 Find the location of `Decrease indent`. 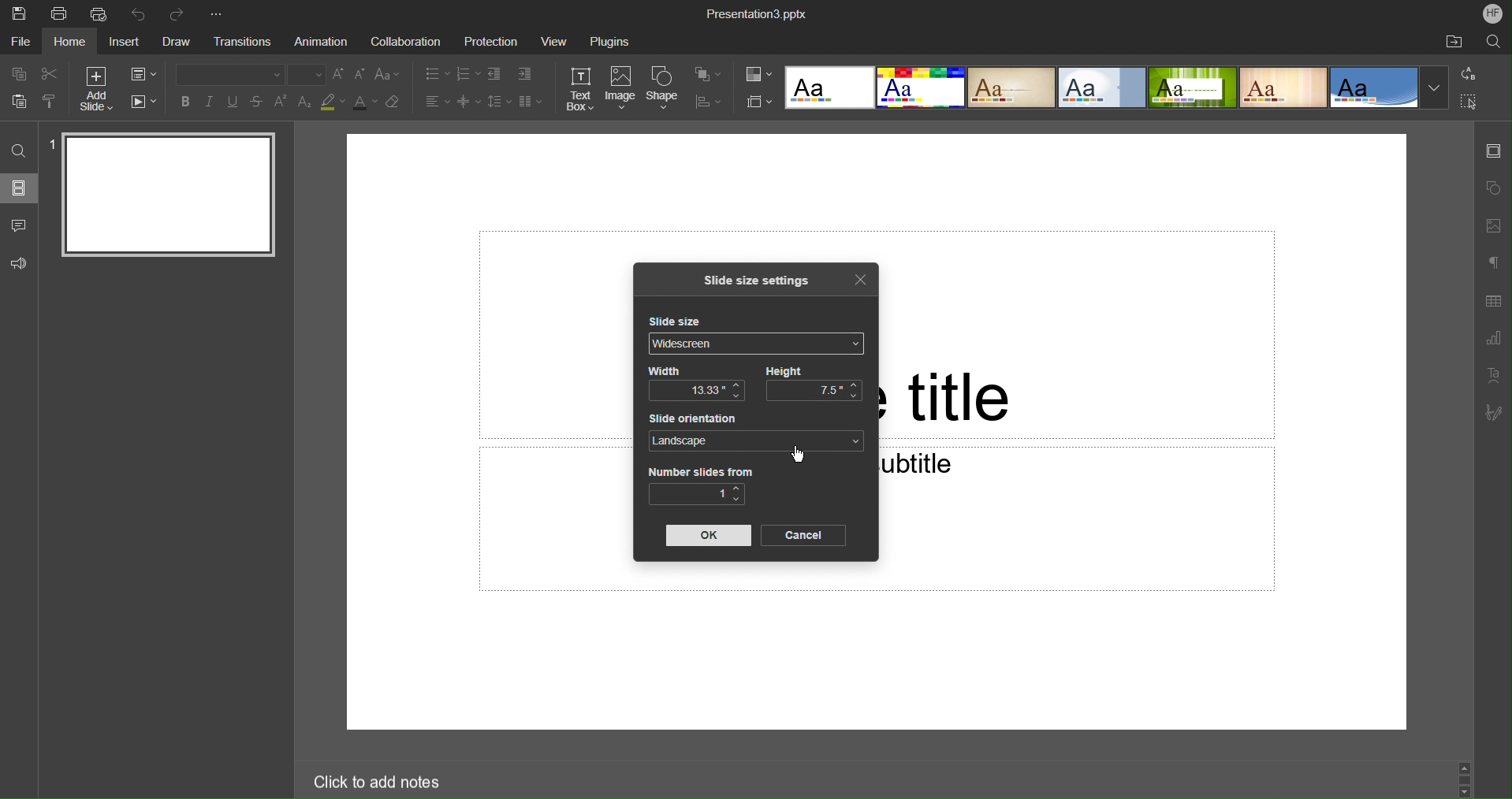

Decrease indent is located at coordinates (493, 74).